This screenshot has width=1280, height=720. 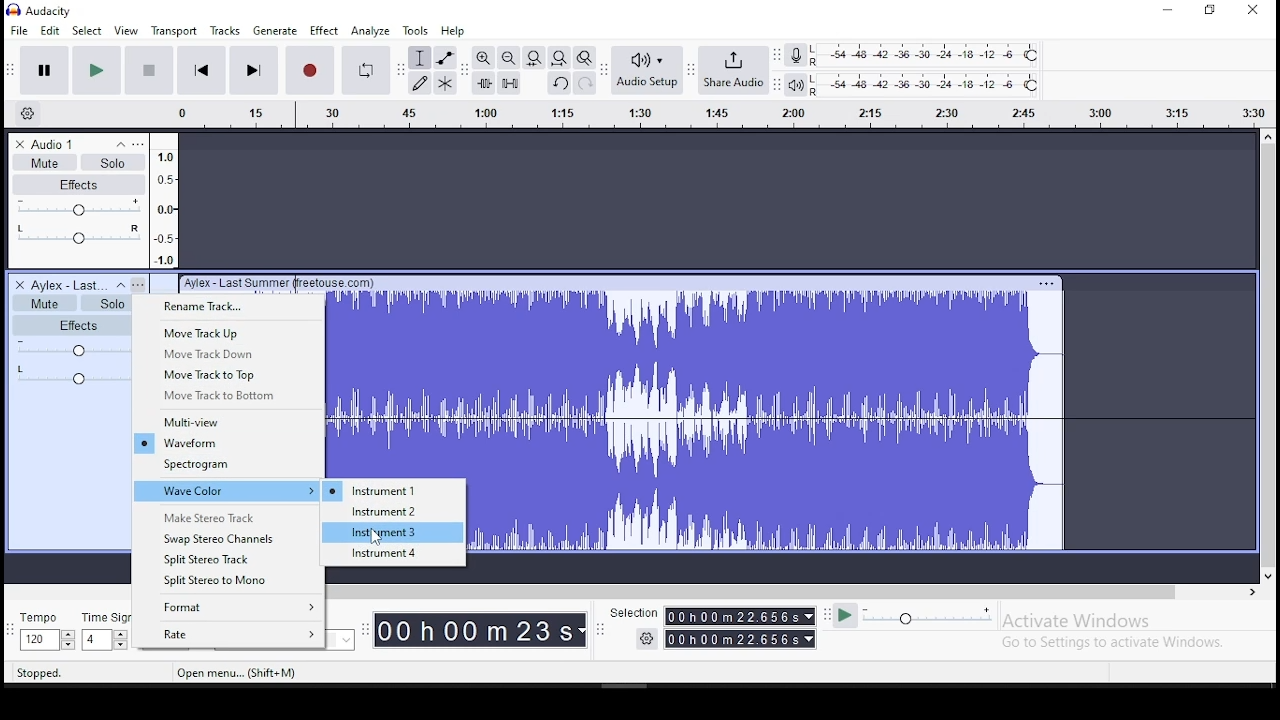 What do you see at coordinates (18, 284) in the screenshot?
I see `delete track` at bounding box center [18, 284].